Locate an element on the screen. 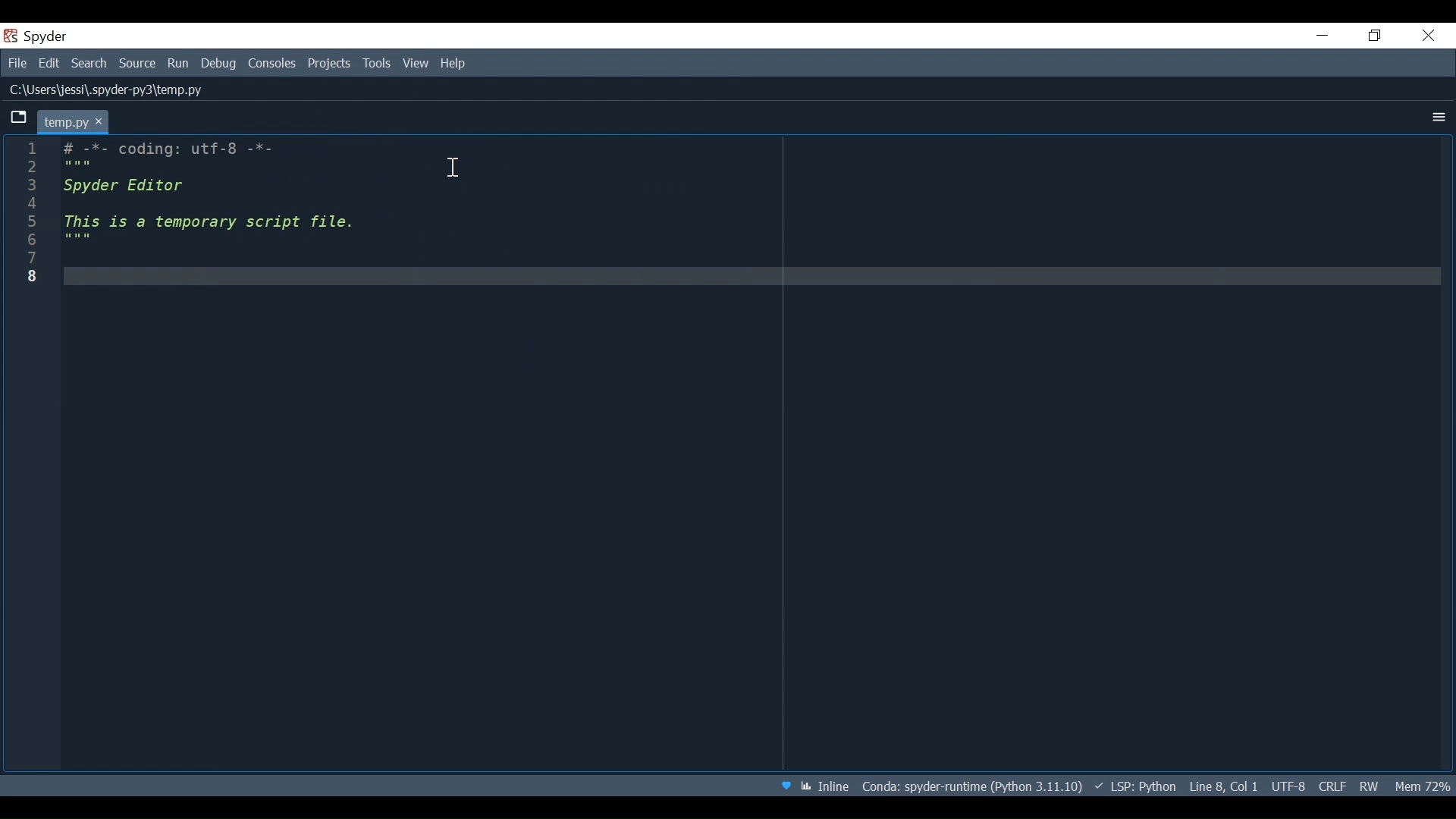 This screenshot has width=1456, height=819. C:\Users\jessi\.spyder-py3\temp.py is located at coordinates (133, 89).